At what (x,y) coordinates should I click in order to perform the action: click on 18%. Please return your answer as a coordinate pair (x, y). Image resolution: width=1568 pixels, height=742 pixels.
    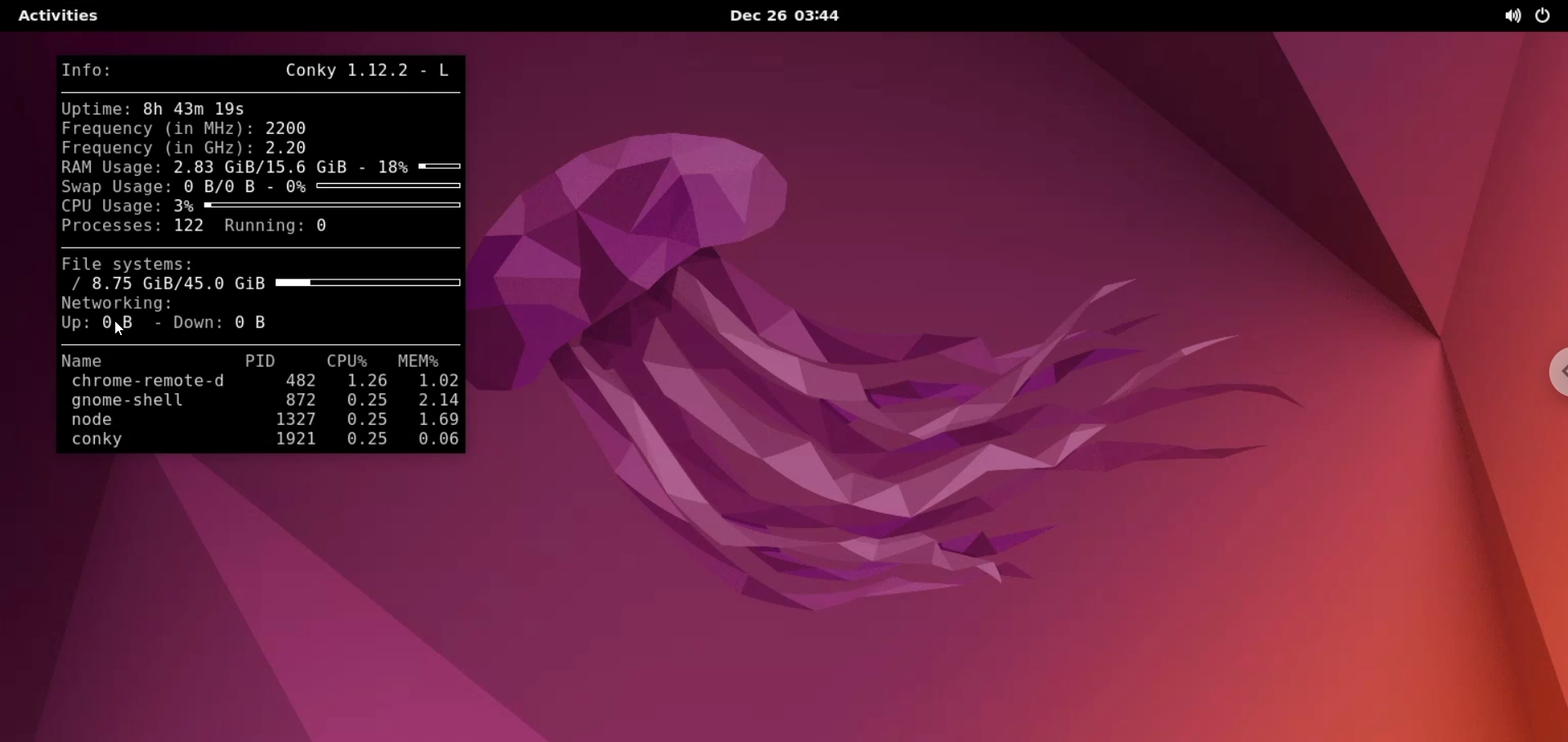
    Looking at the image, I should click on (421, 167).